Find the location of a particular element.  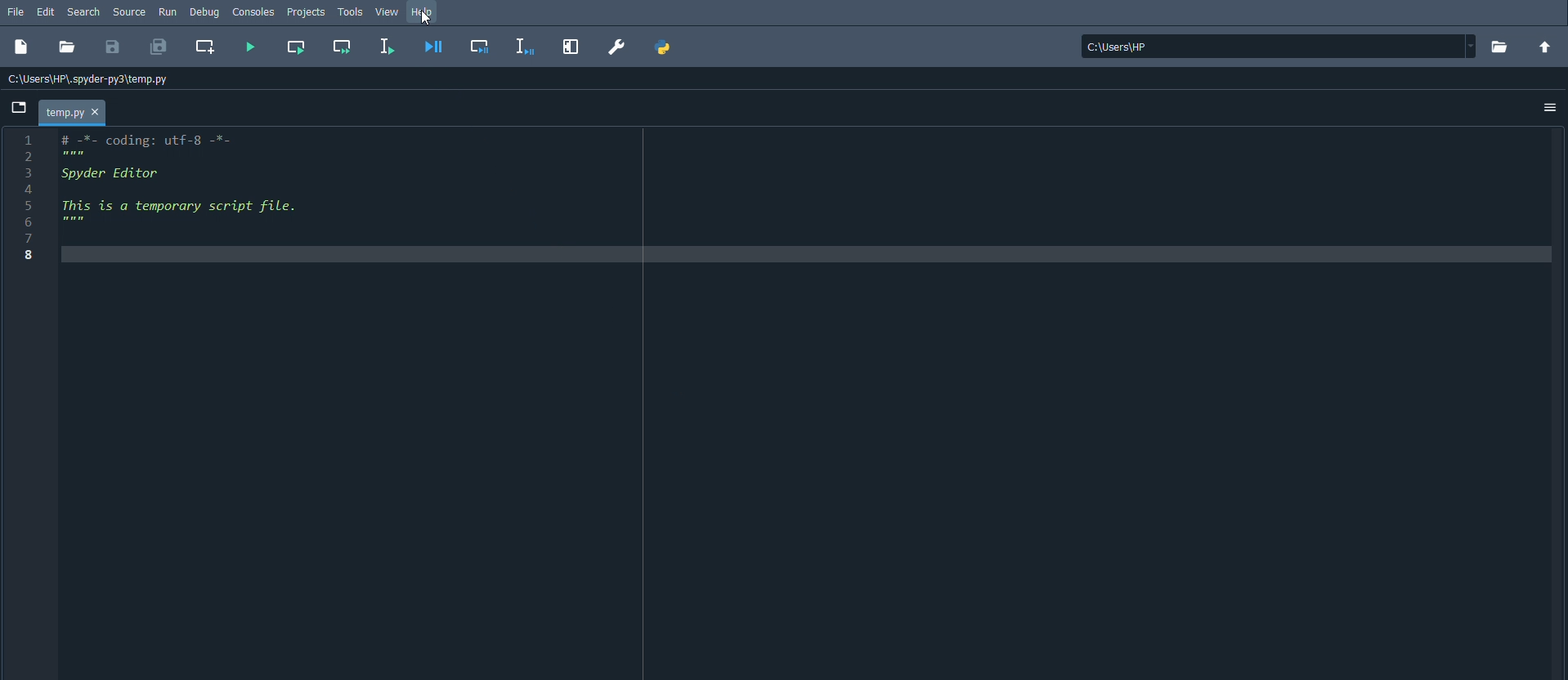

Cursor is located at coordinates (424, 20).